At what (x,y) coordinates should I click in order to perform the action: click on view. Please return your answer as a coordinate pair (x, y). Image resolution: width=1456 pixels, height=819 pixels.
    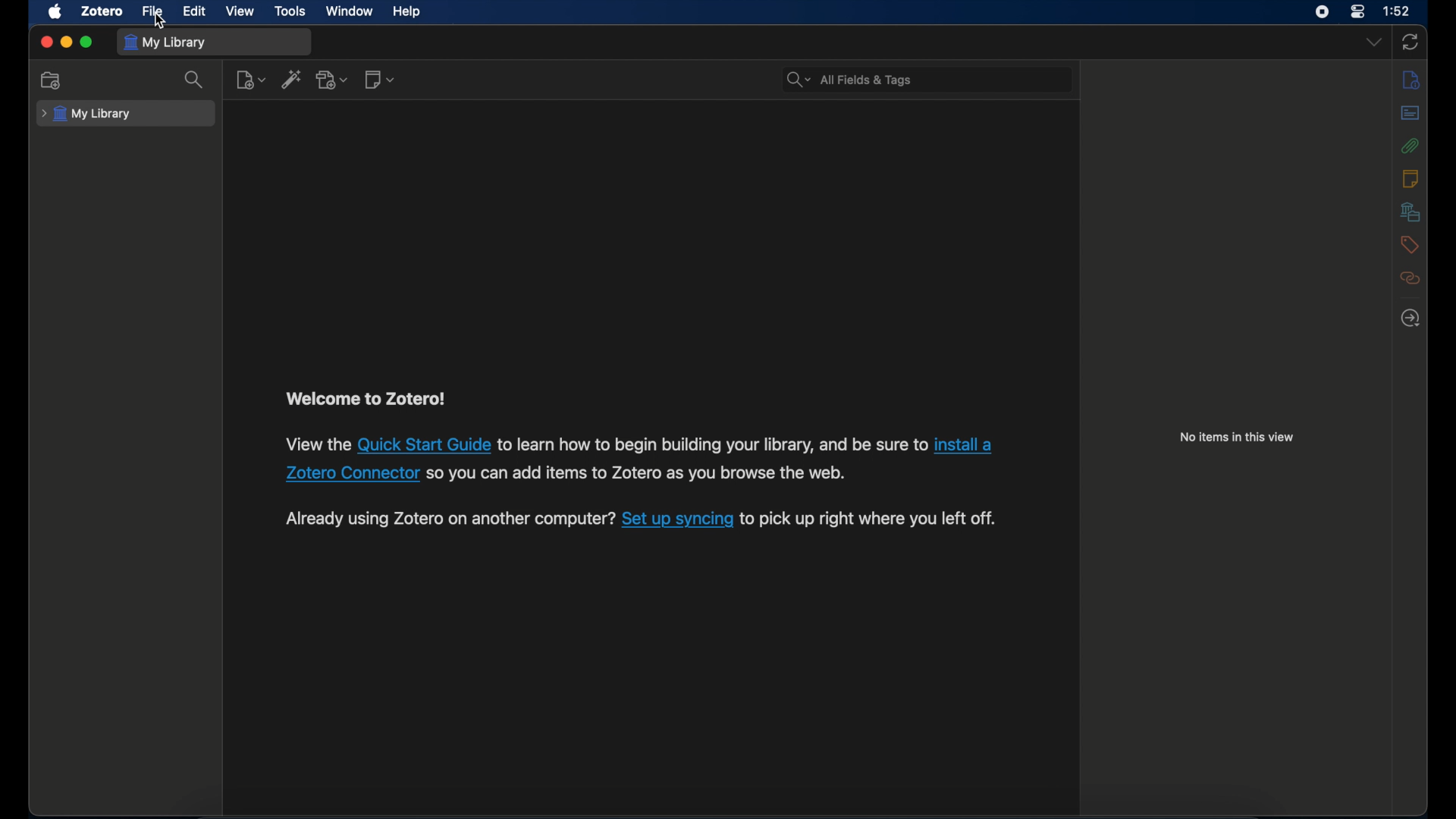
    Looking at the image, I should click on (240, 11).